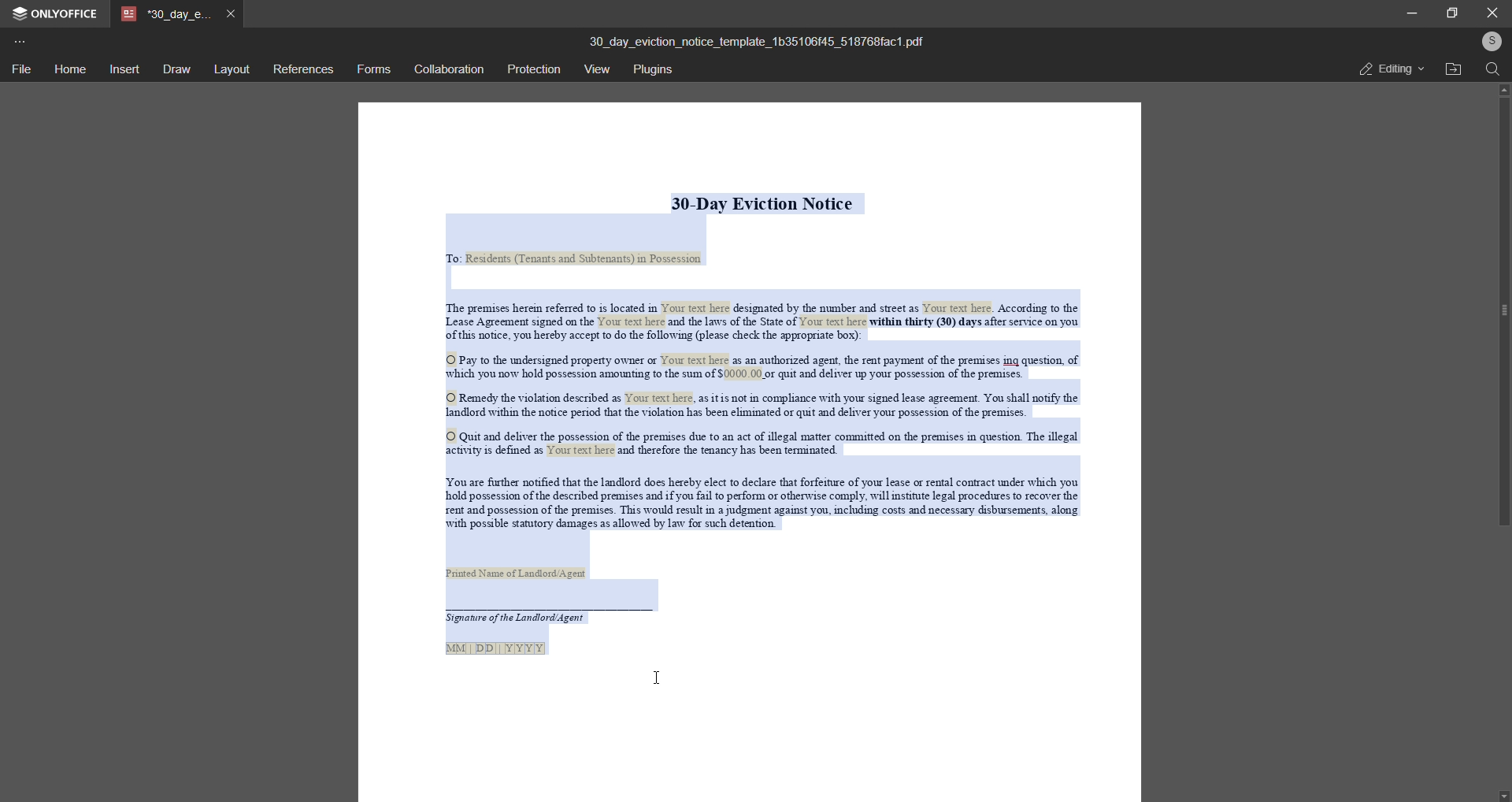 The height and width of the screenshot is (802, 1512). Describe the element at coordinates (1499, 314) in the screenshot. I see `scroll bar` at that location.